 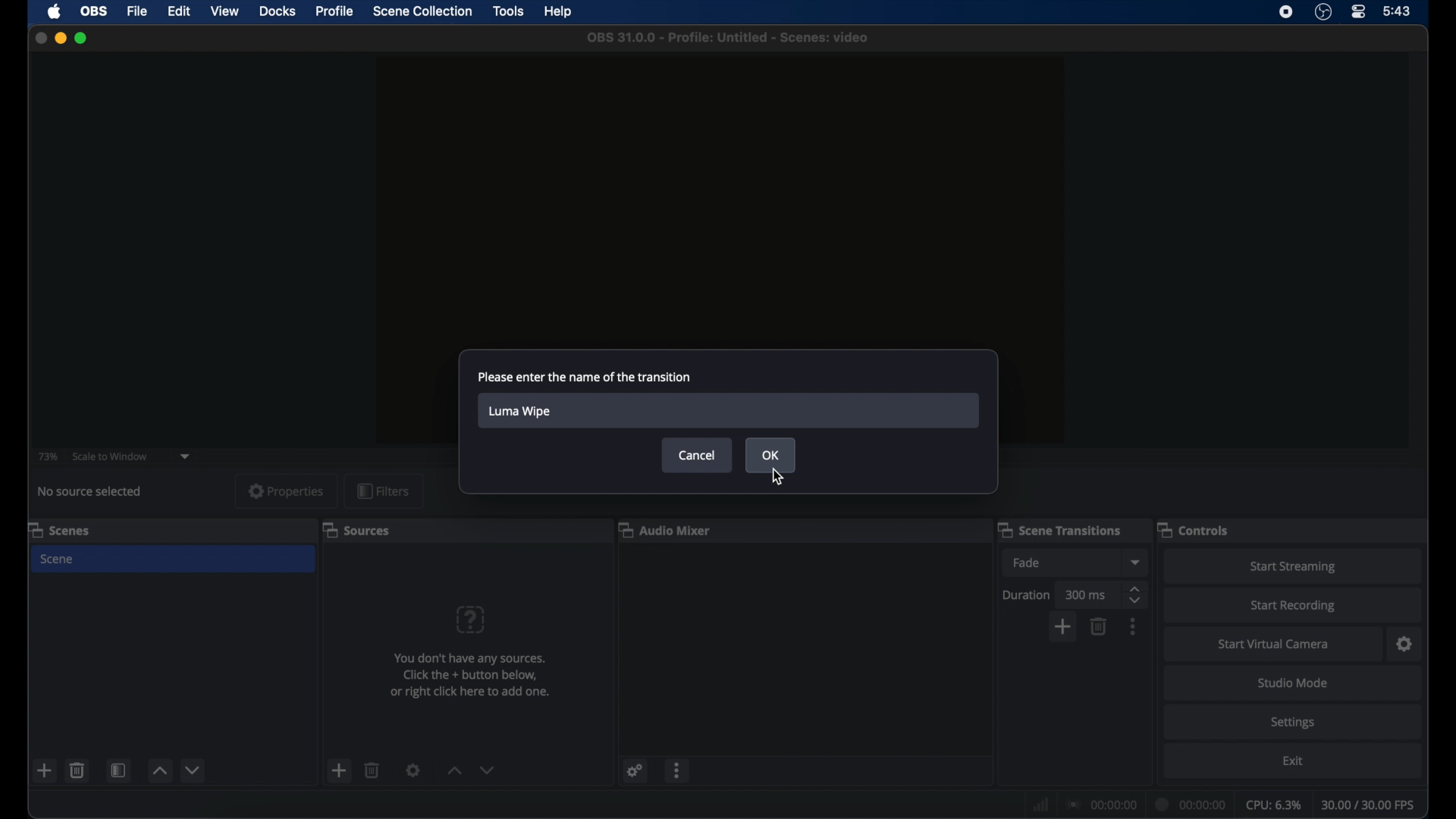 I want to click on scene, so click(x=58, y=560).